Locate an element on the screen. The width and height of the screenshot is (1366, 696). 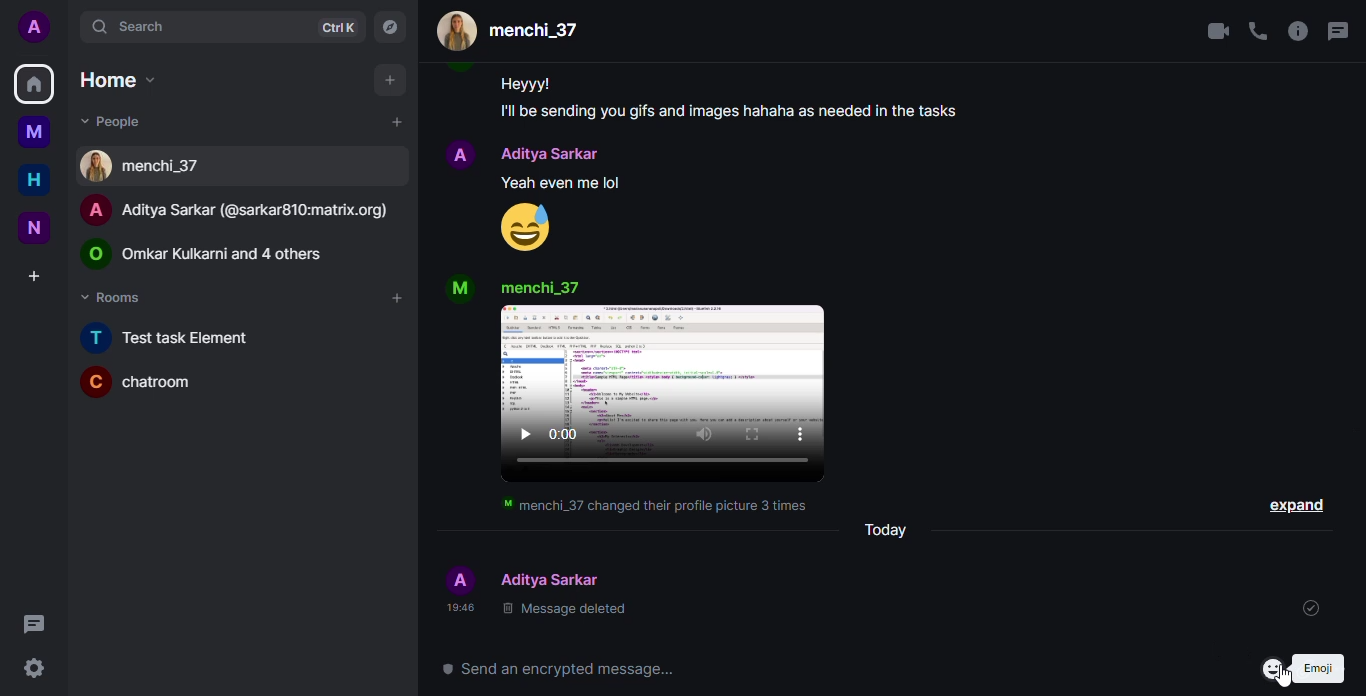
info is located at coordinates (1296, 32).